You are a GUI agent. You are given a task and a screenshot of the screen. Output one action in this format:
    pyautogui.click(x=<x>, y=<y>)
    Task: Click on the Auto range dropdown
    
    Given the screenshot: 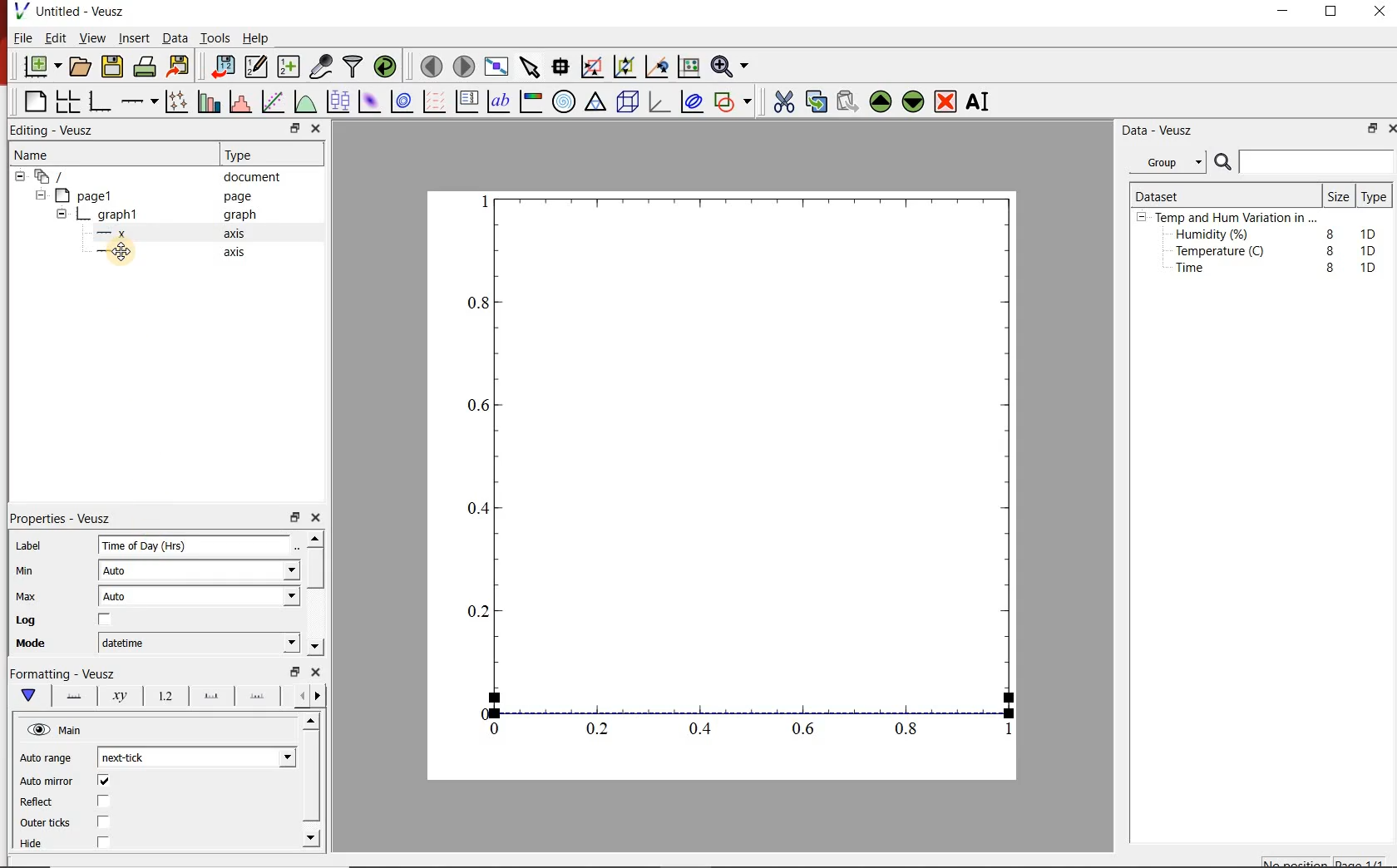 What is the action you would take?
    pyautogui.click(x=262, y=755)
    